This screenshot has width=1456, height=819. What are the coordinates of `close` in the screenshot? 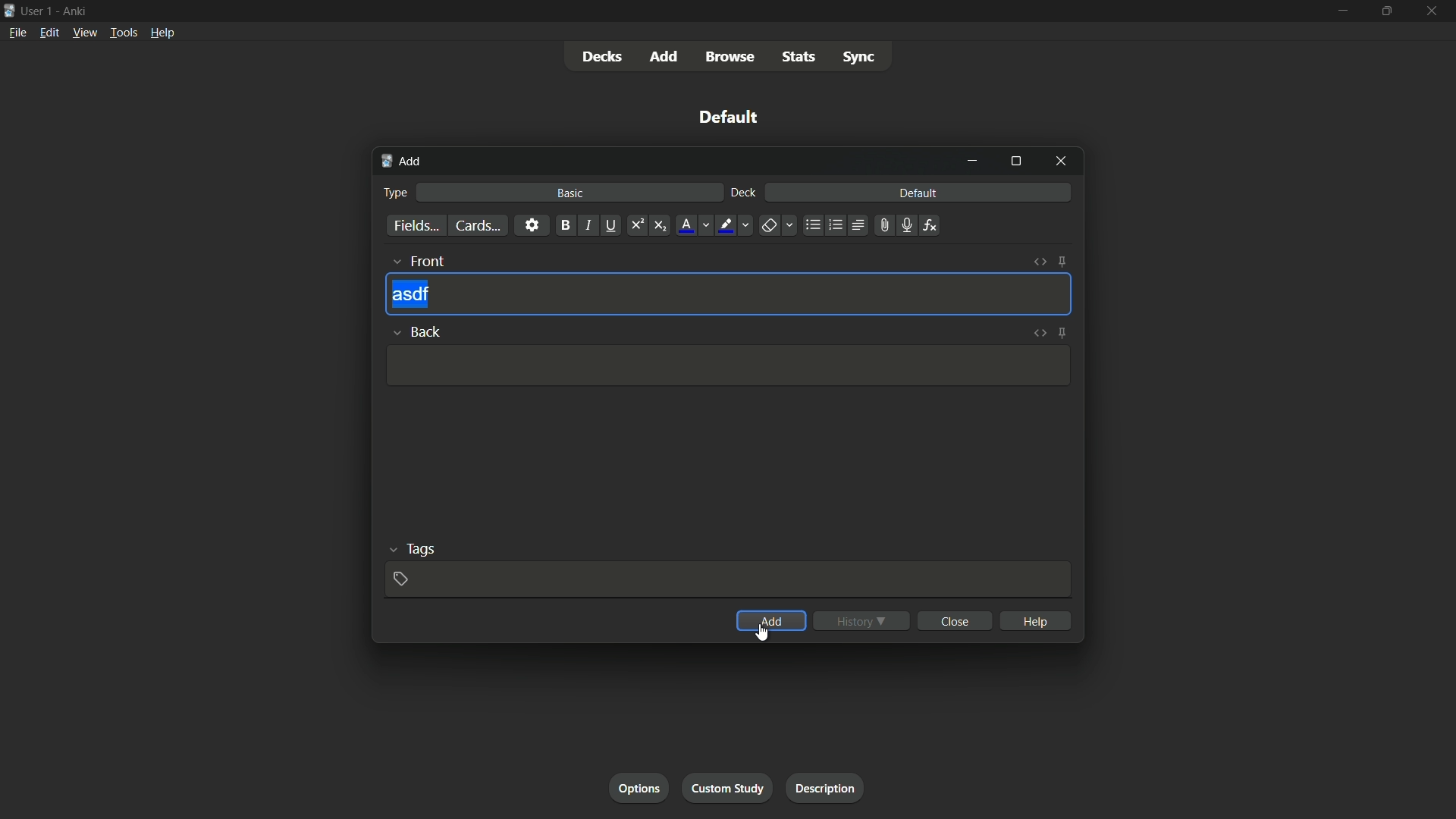 It's located at (955, 620).